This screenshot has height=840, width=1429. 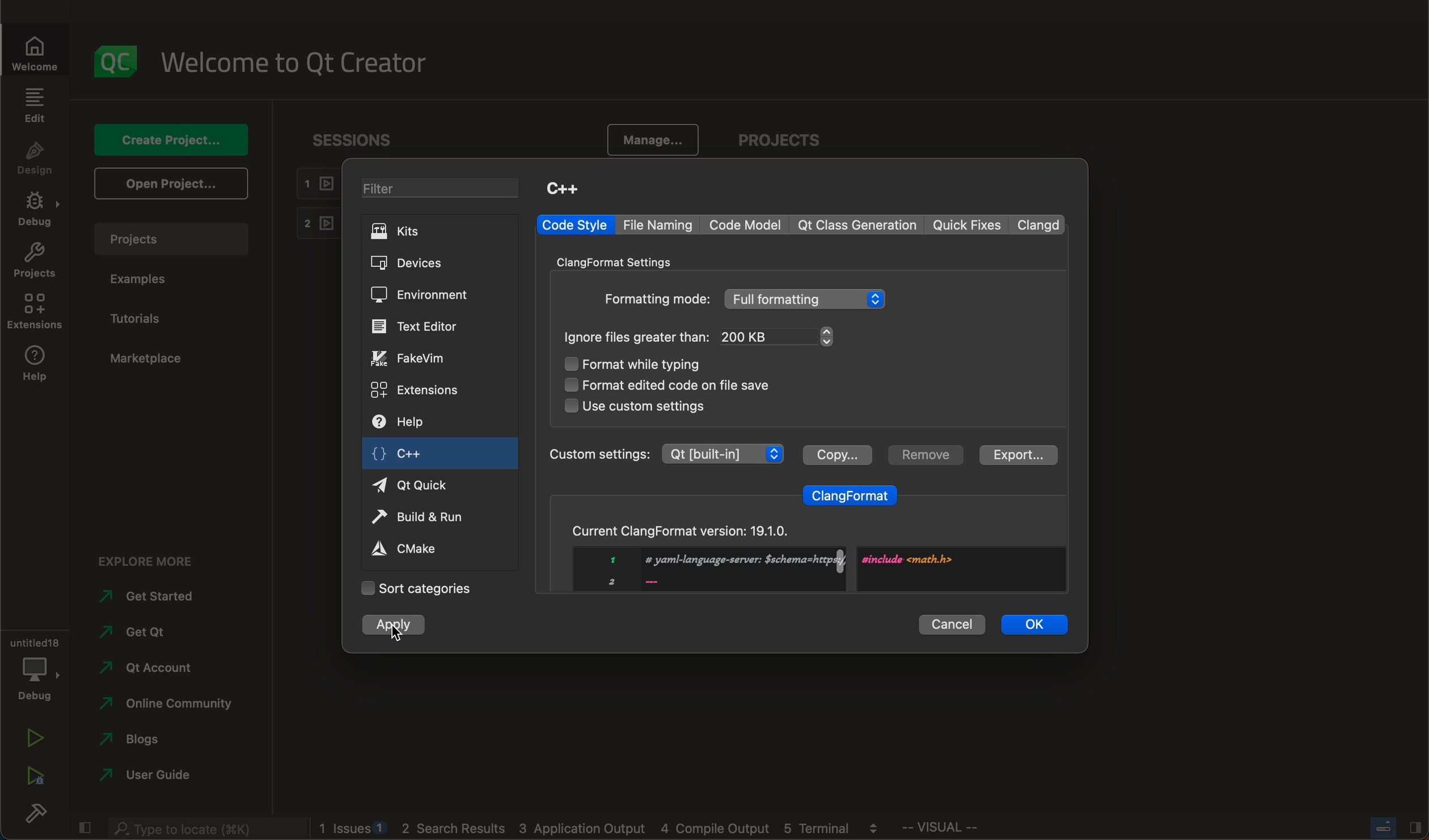 I want to click on build, so click(x=34, y=816).